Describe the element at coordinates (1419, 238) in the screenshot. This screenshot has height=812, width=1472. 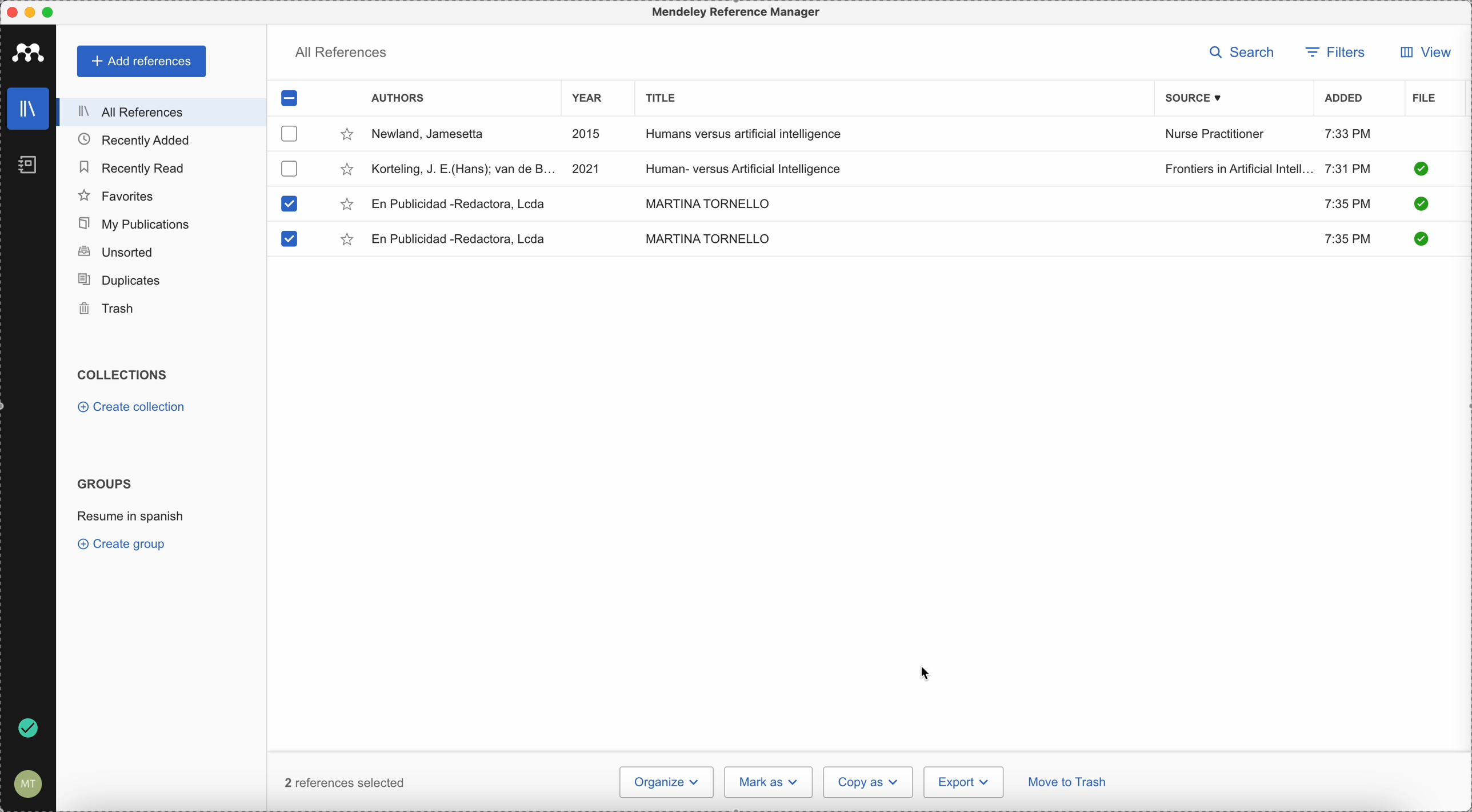
I see `check it` at that location.